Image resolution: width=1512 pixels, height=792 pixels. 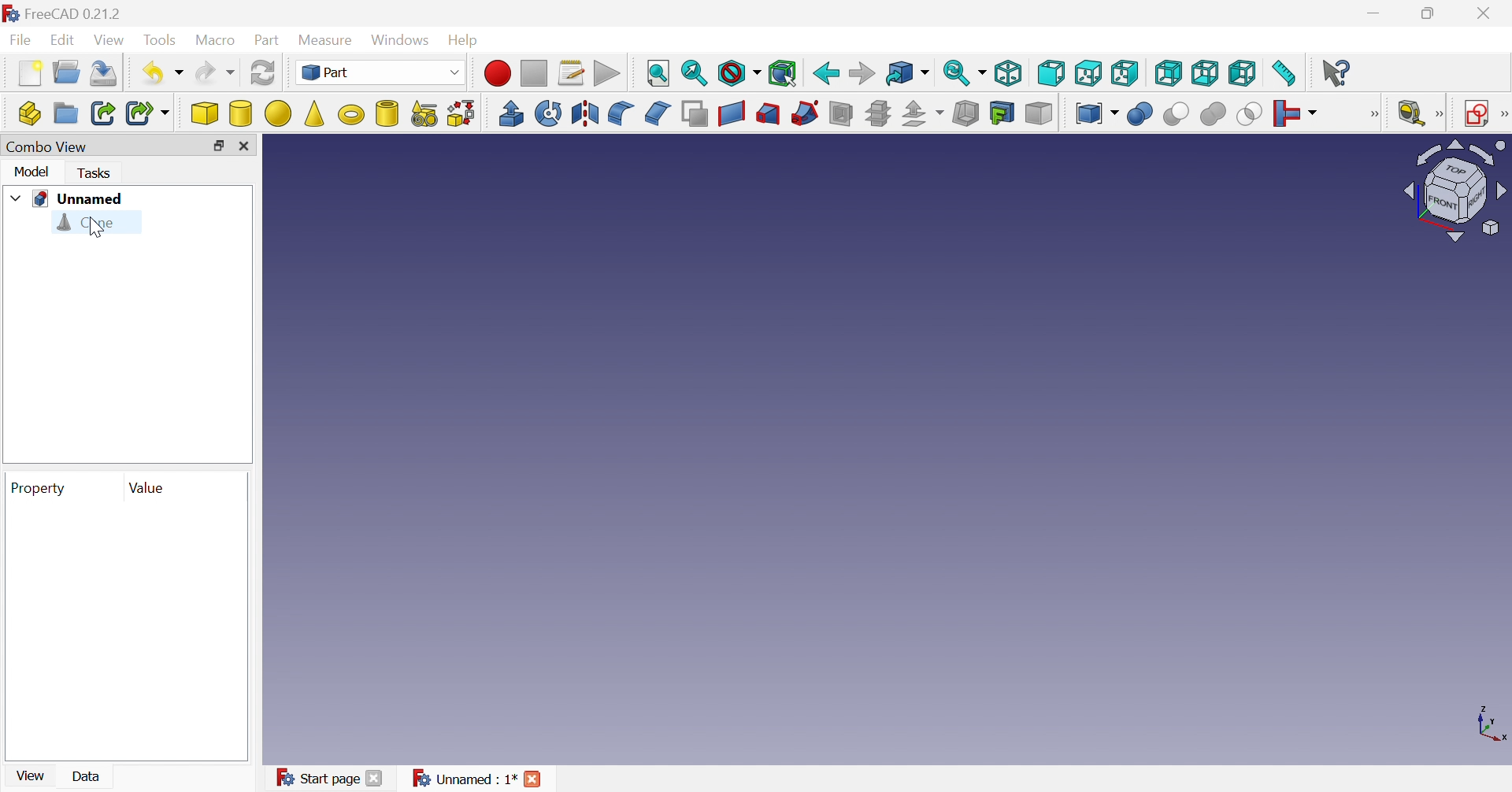 What do you see at coordinates (585, 114) in the screenshot?
I see `Mirroring` at bounding box center [585, 114].